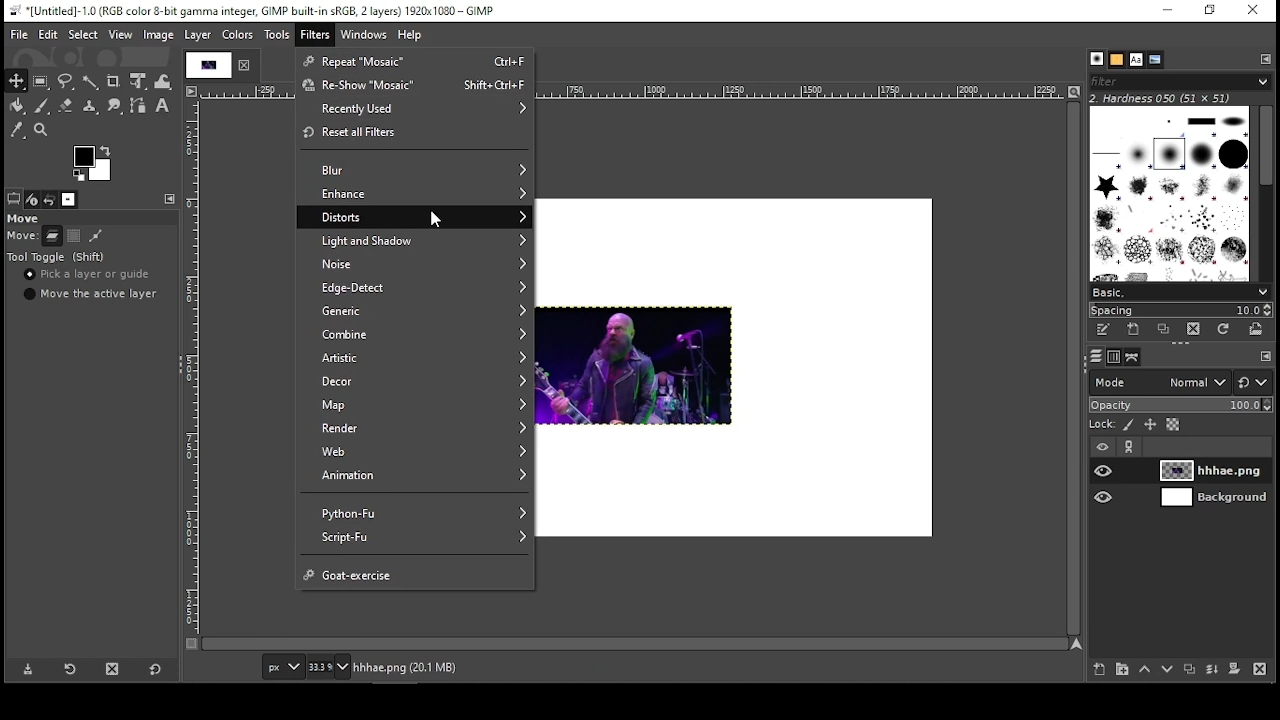 The width and height of the screenshot is (1280, 720). What do you see at coordinates (114, 668) in the screenshot?
I see `delete tool preset` at bounding box center [114, 668].